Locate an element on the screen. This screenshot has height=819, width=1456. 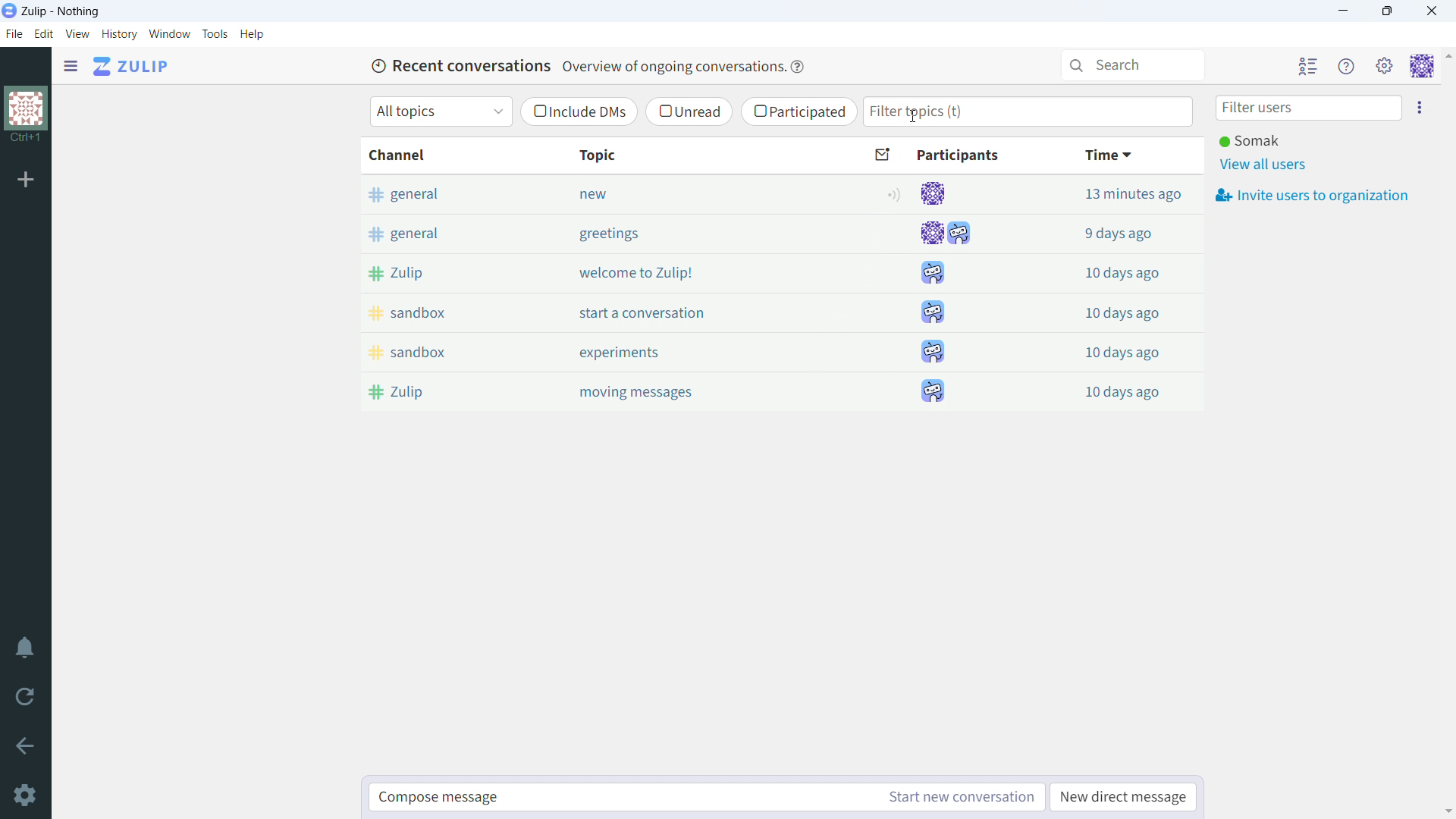
general is located at coordinates (437, 231).